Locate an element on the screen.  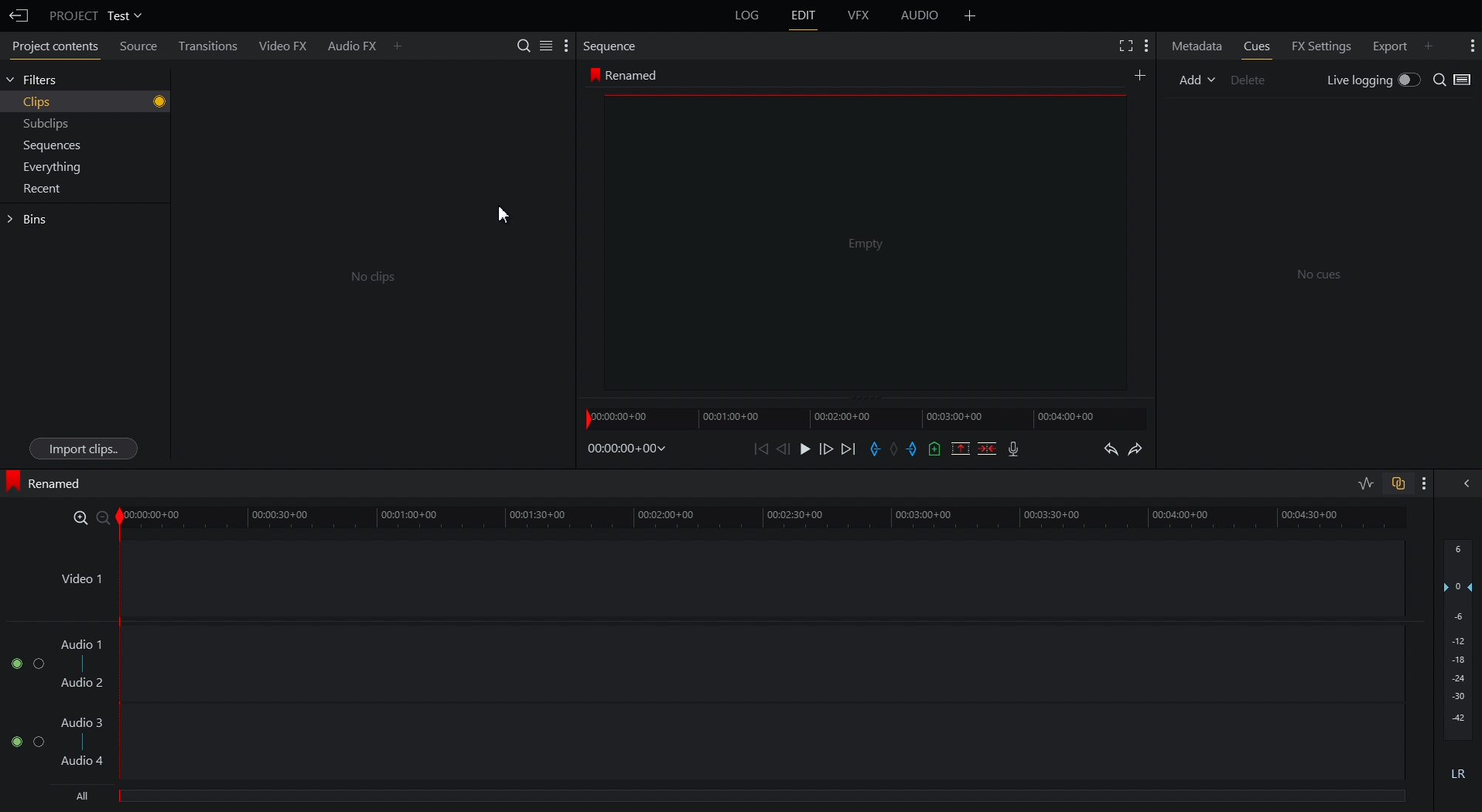
Skip Forward is located at coordinates (851, 448).